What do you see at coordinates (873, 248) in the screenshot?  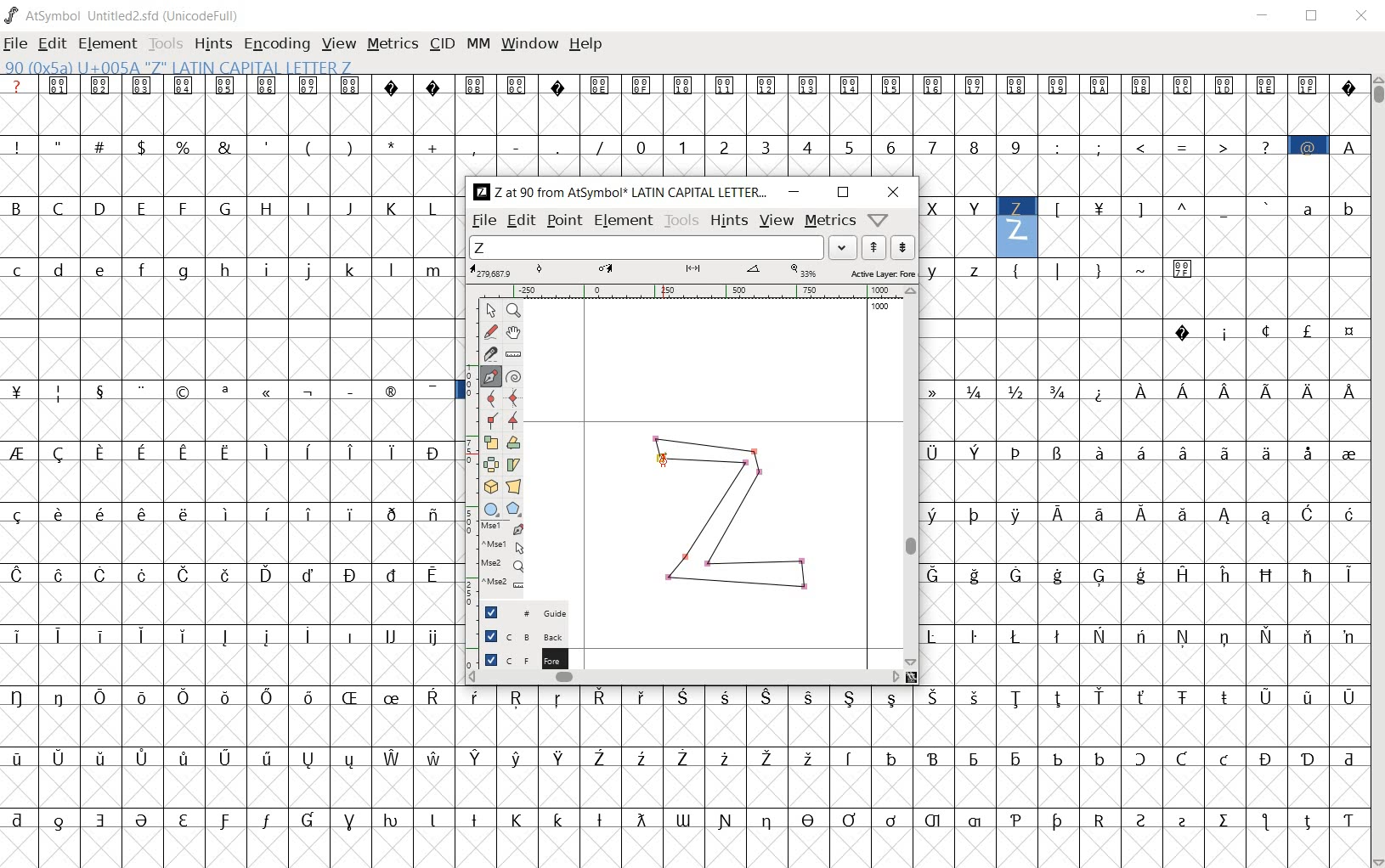 I see `show the next word on the list` at bounding box center [873, 248].